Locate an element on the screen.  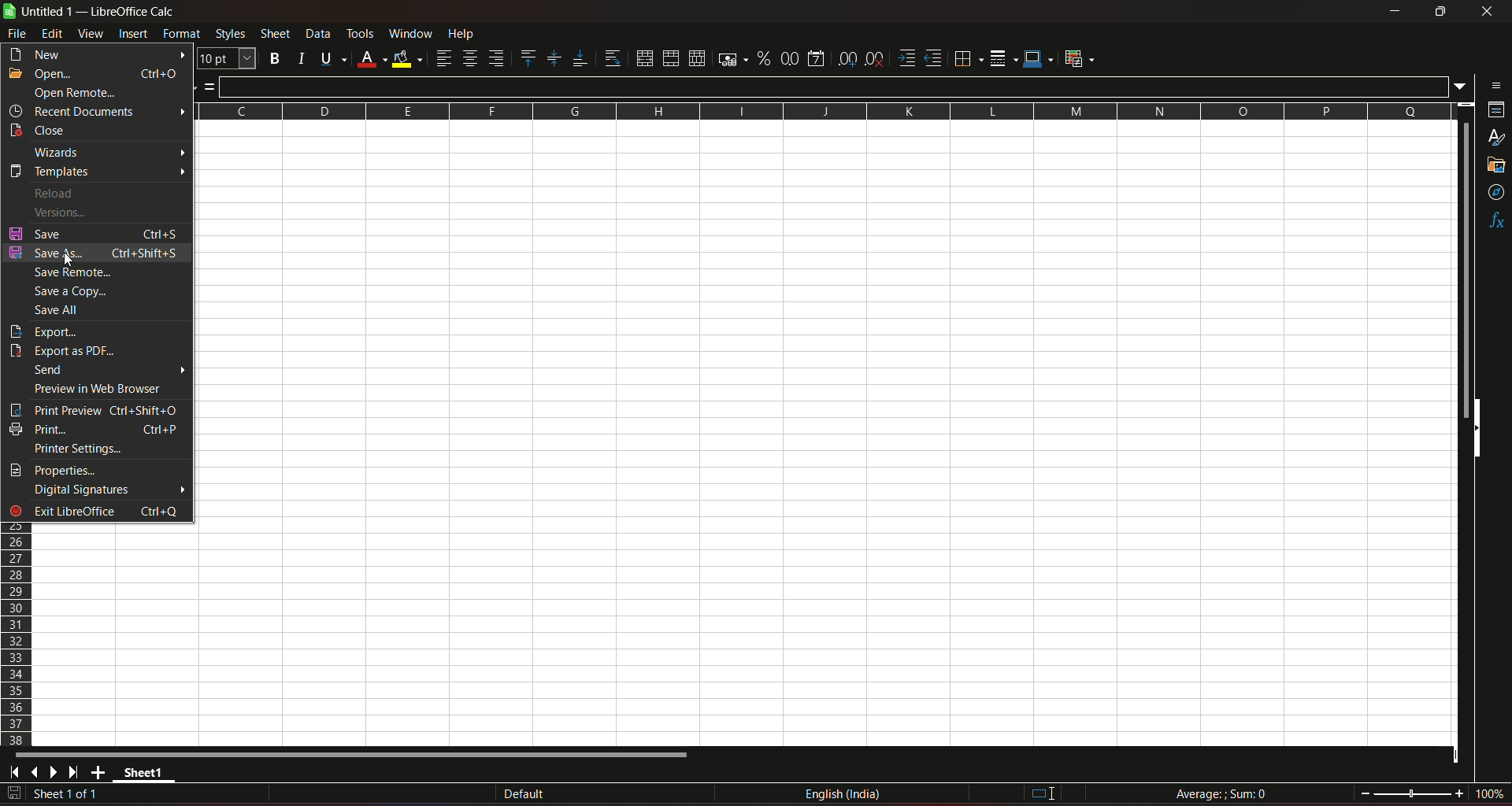
language is located at coordinates (845, 797).